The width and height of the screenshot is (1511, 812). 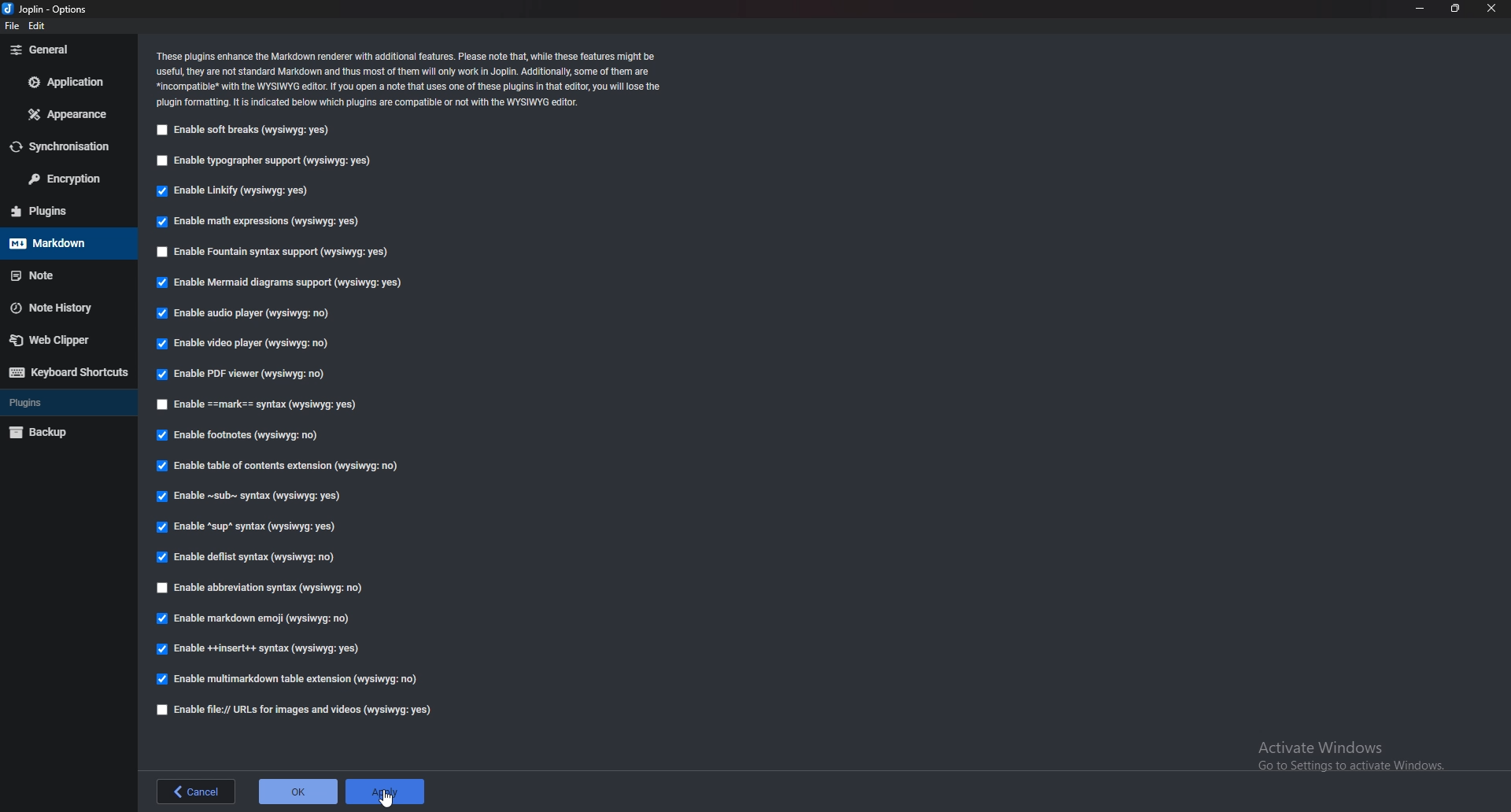 What do you see at coordinates (248, 131) in the screenshot?
I see `Enable soft breaks (wysiwyg:yes)` at bounding box center [248, 131].